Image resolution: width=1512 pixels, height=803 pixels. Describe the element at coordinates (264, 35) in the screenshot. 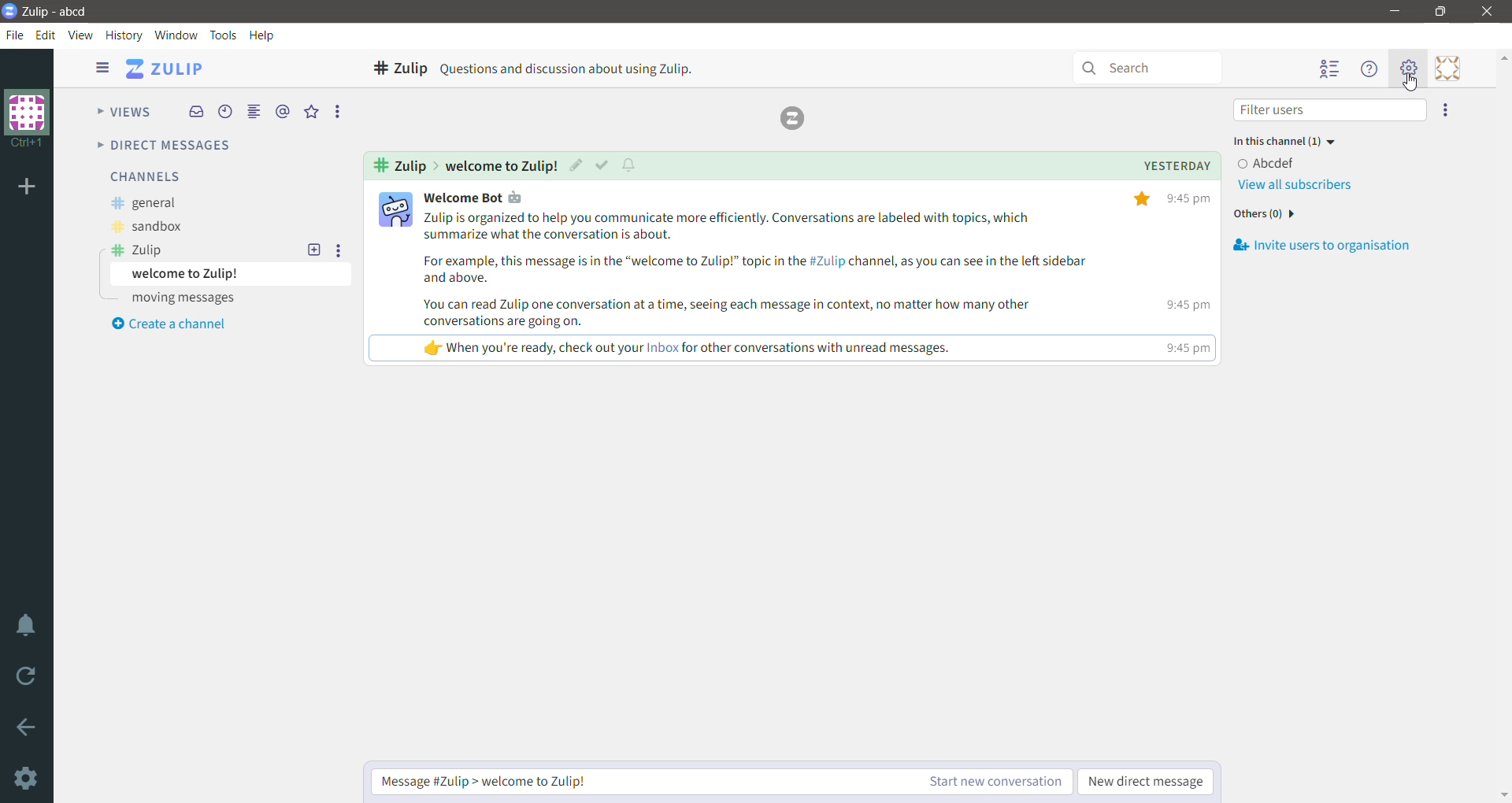

I see `Help` at that location.